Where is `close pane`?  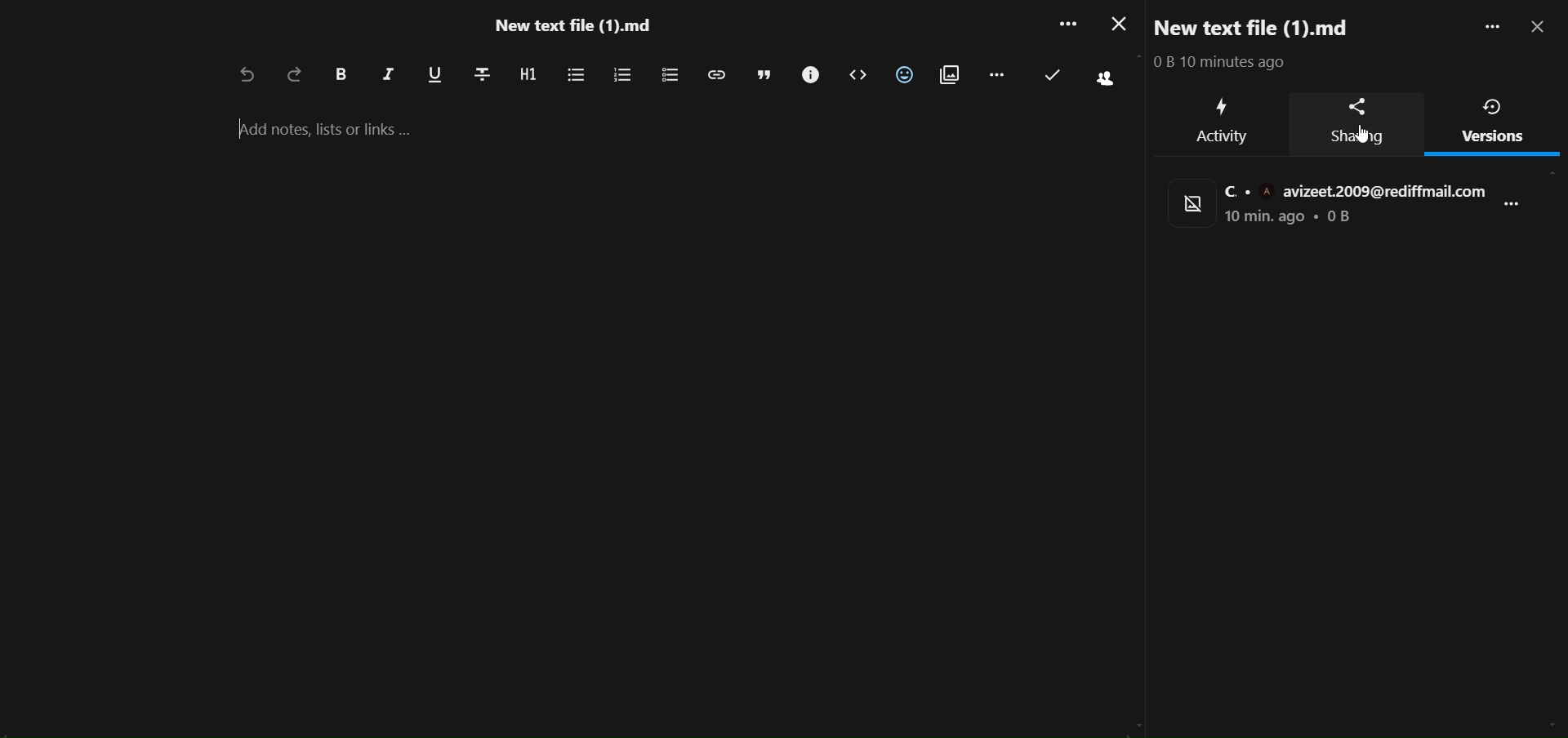
close pane is located at coordinates (1540, 28).